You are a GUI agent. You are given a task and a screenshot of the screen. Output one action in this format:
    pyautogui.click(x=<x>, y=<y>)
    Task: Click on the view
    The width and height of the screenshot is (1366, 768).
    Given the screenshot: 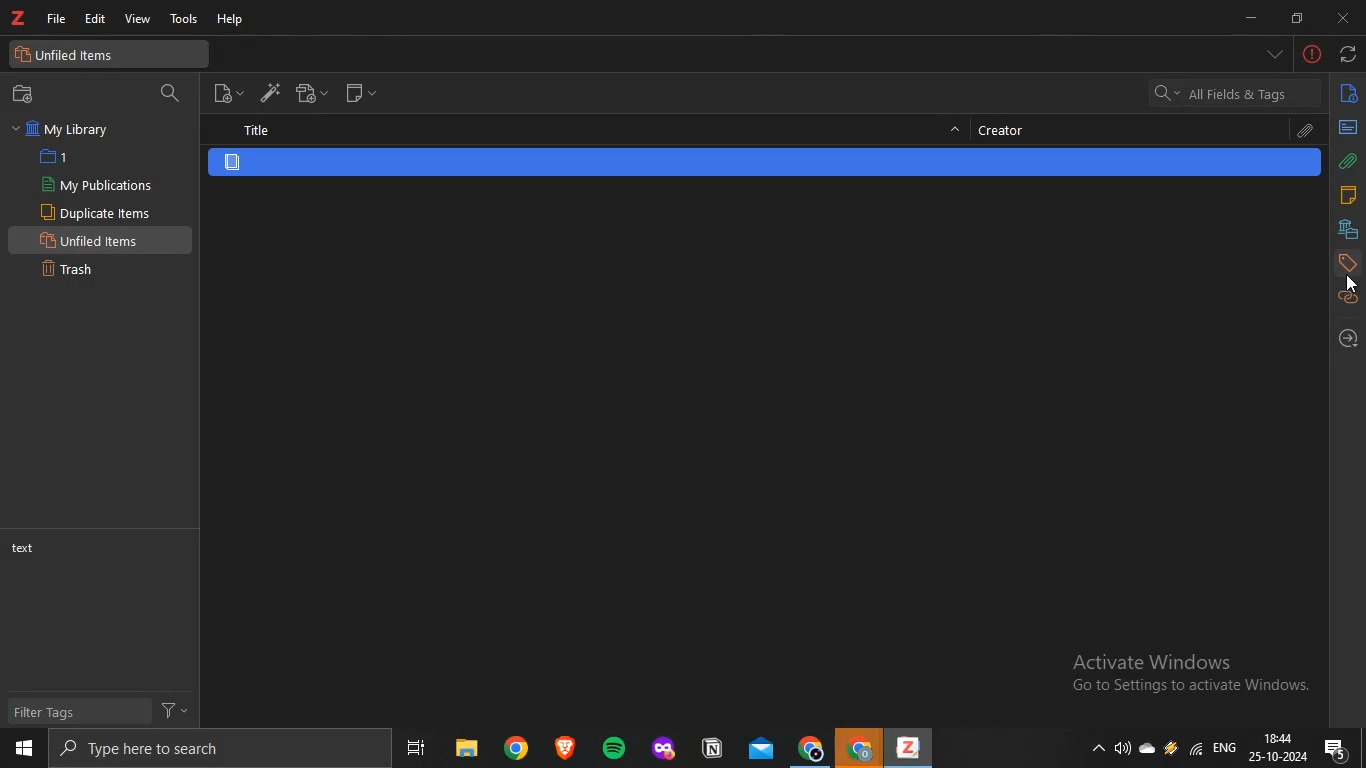 What is the action you would take?
    pyautogui.click(x=138, y=18)
    